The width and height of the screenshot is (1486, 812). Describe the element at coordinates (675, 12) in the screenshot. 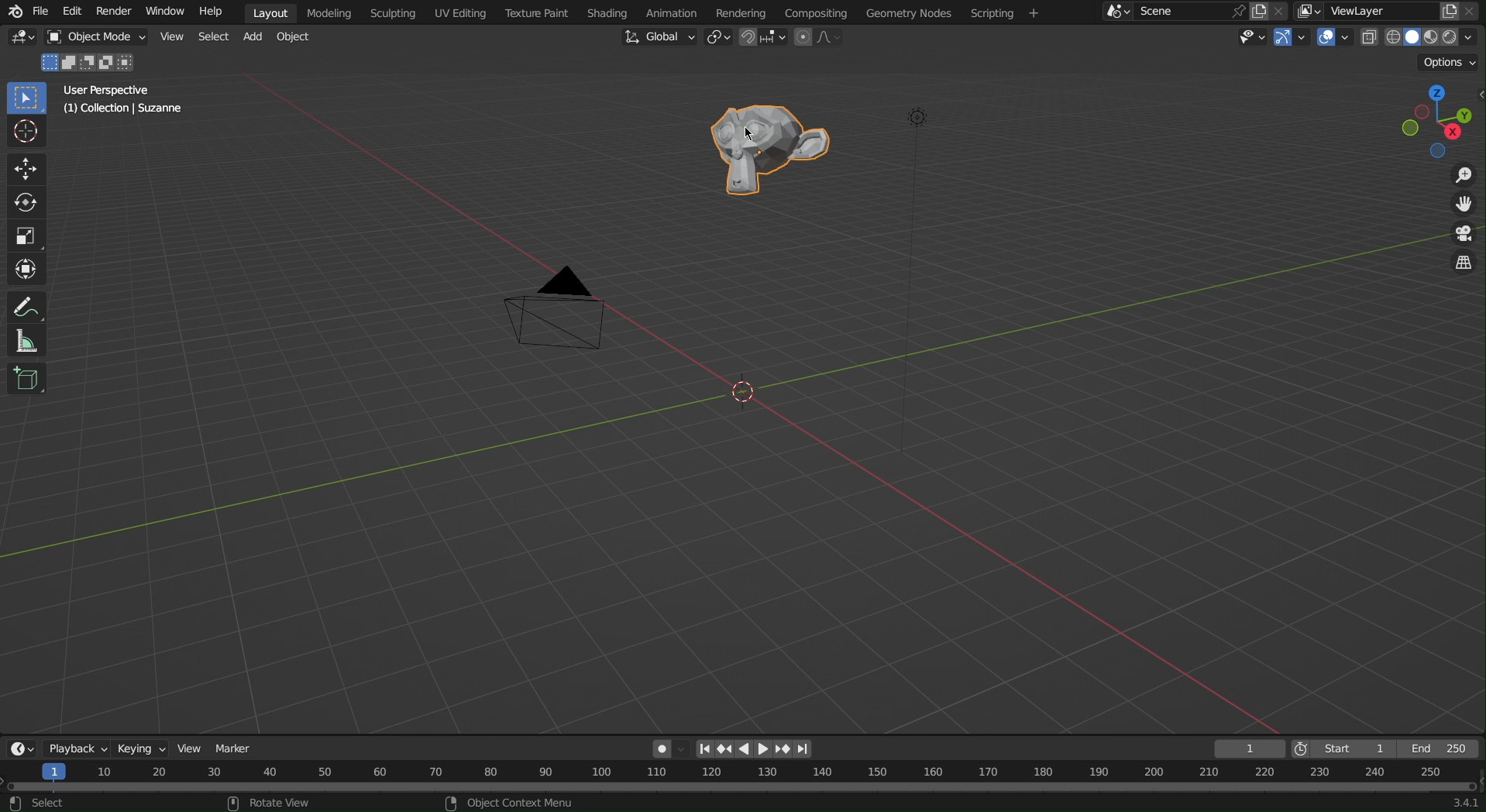

I see `Animation` at that location.